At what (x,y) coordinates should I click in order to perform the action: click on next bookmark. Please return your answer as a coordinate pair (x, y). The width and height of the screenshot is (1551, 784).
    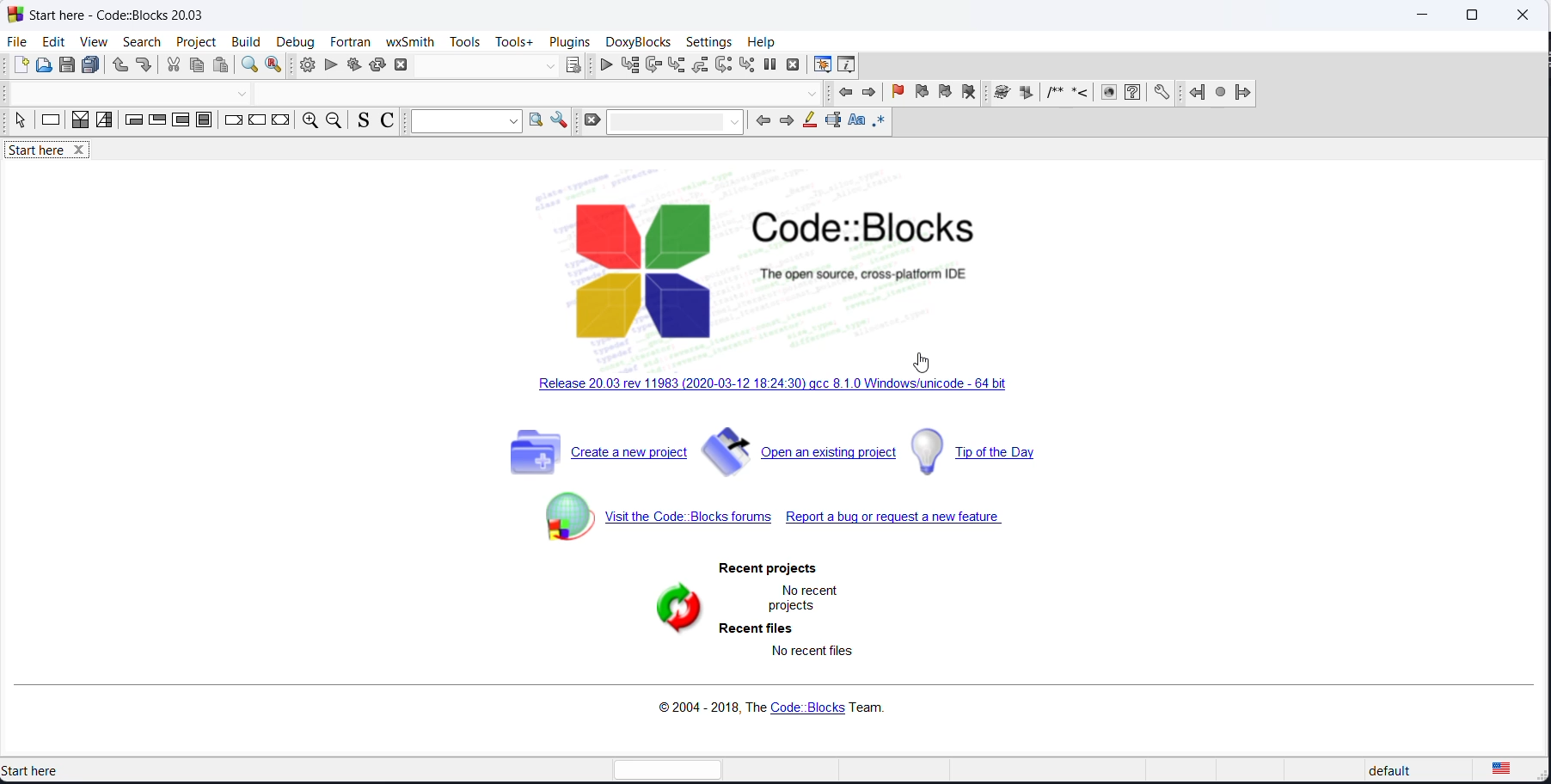
    Looking at the image, I should click on (944, 95).